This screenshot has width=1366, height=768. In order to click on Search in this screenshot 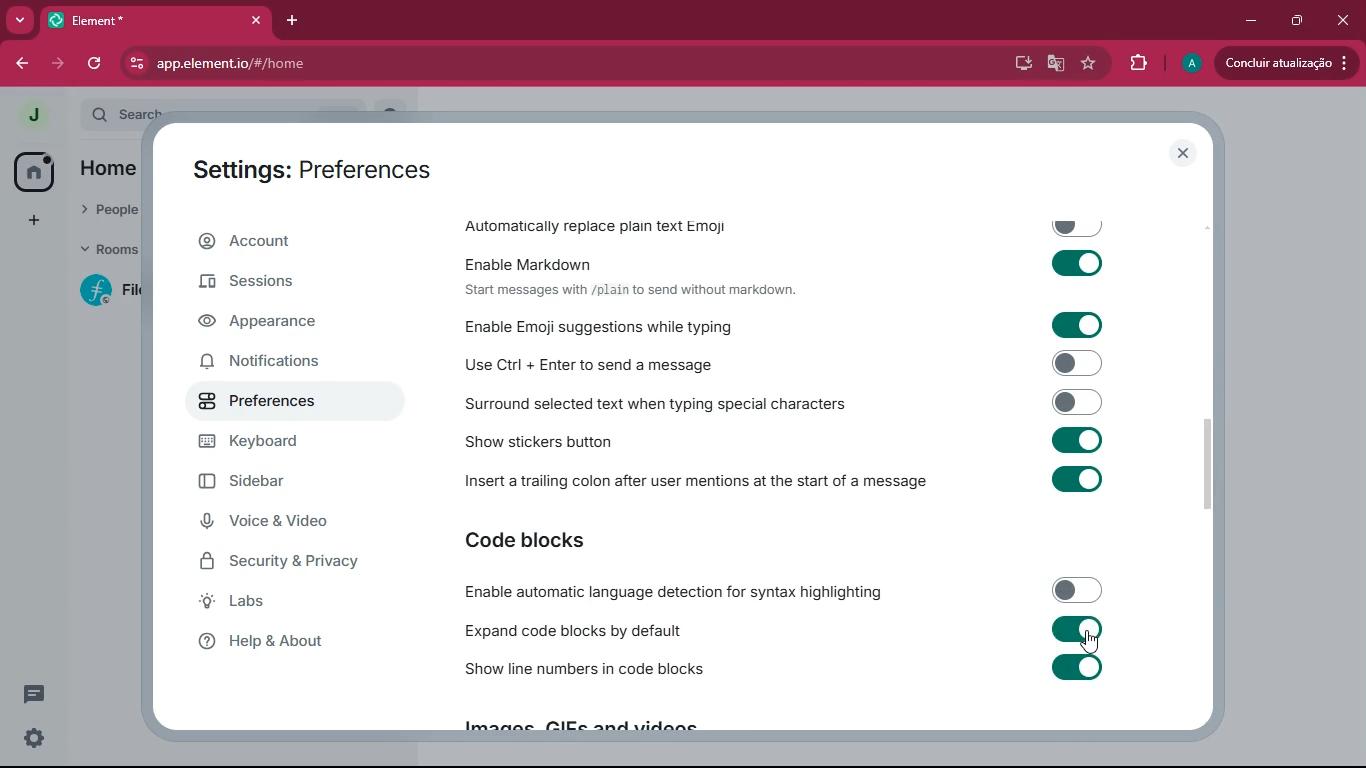, I will do `click(253, 111)`.